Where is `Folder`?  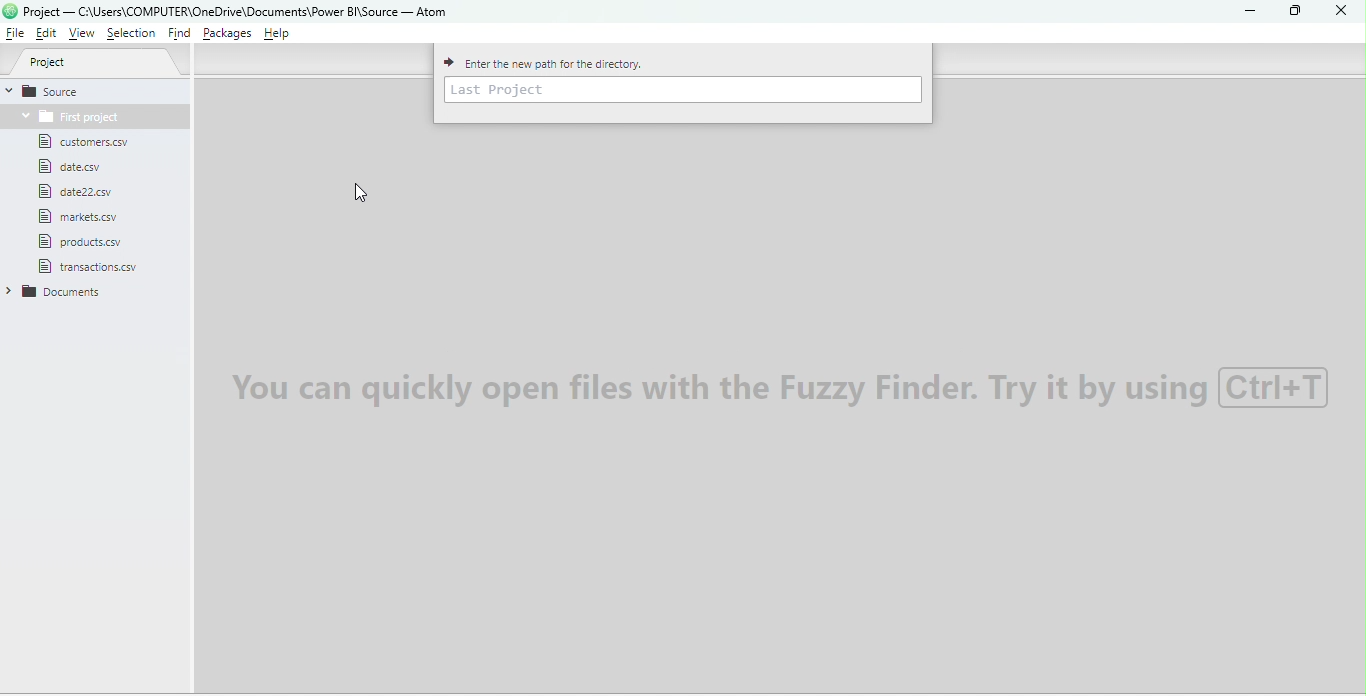 Folder is located at coordinates (67, 116).